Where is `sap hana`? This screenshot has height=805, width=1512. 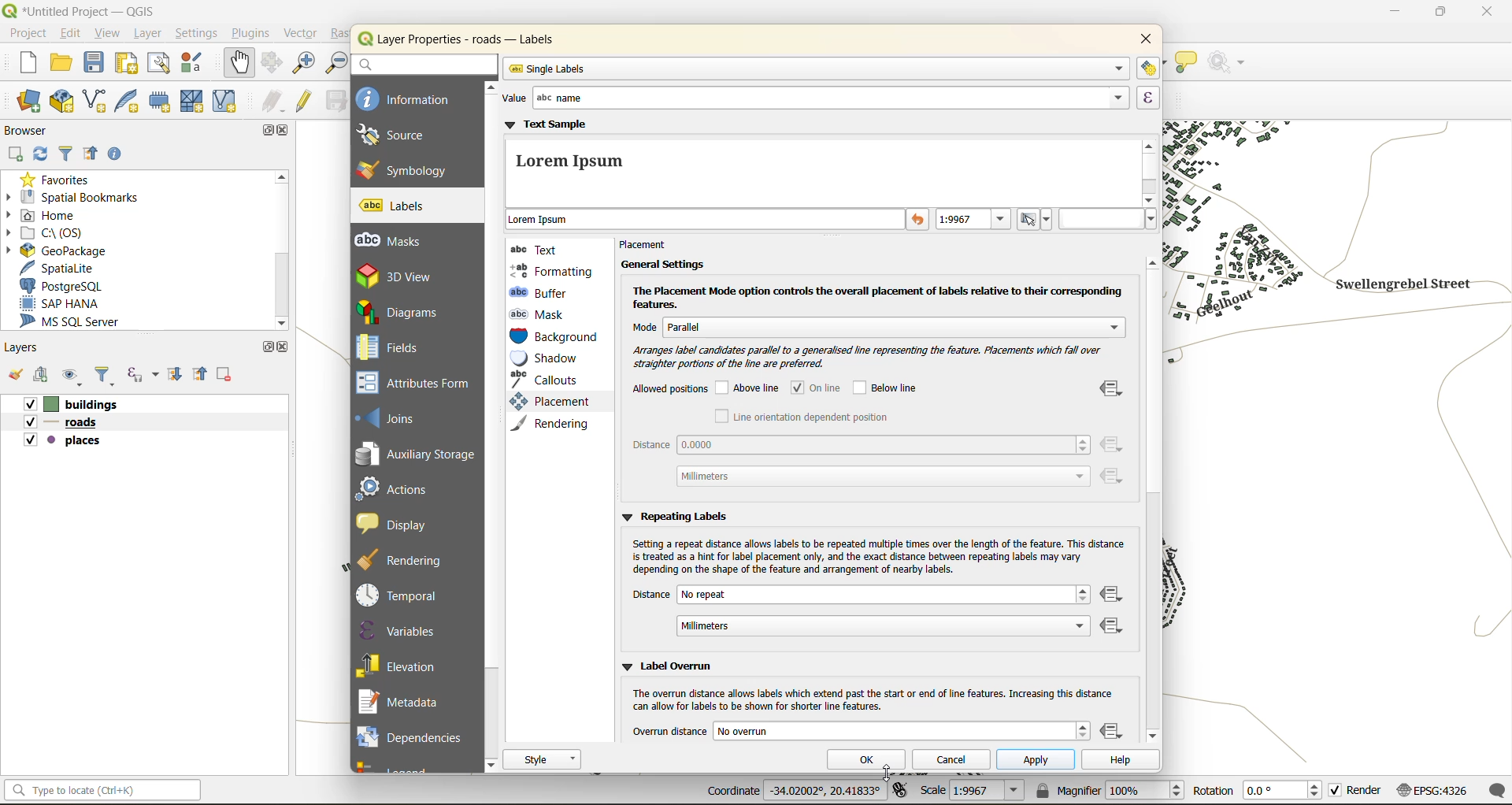 sap hana is located at coordinates (61, 304).